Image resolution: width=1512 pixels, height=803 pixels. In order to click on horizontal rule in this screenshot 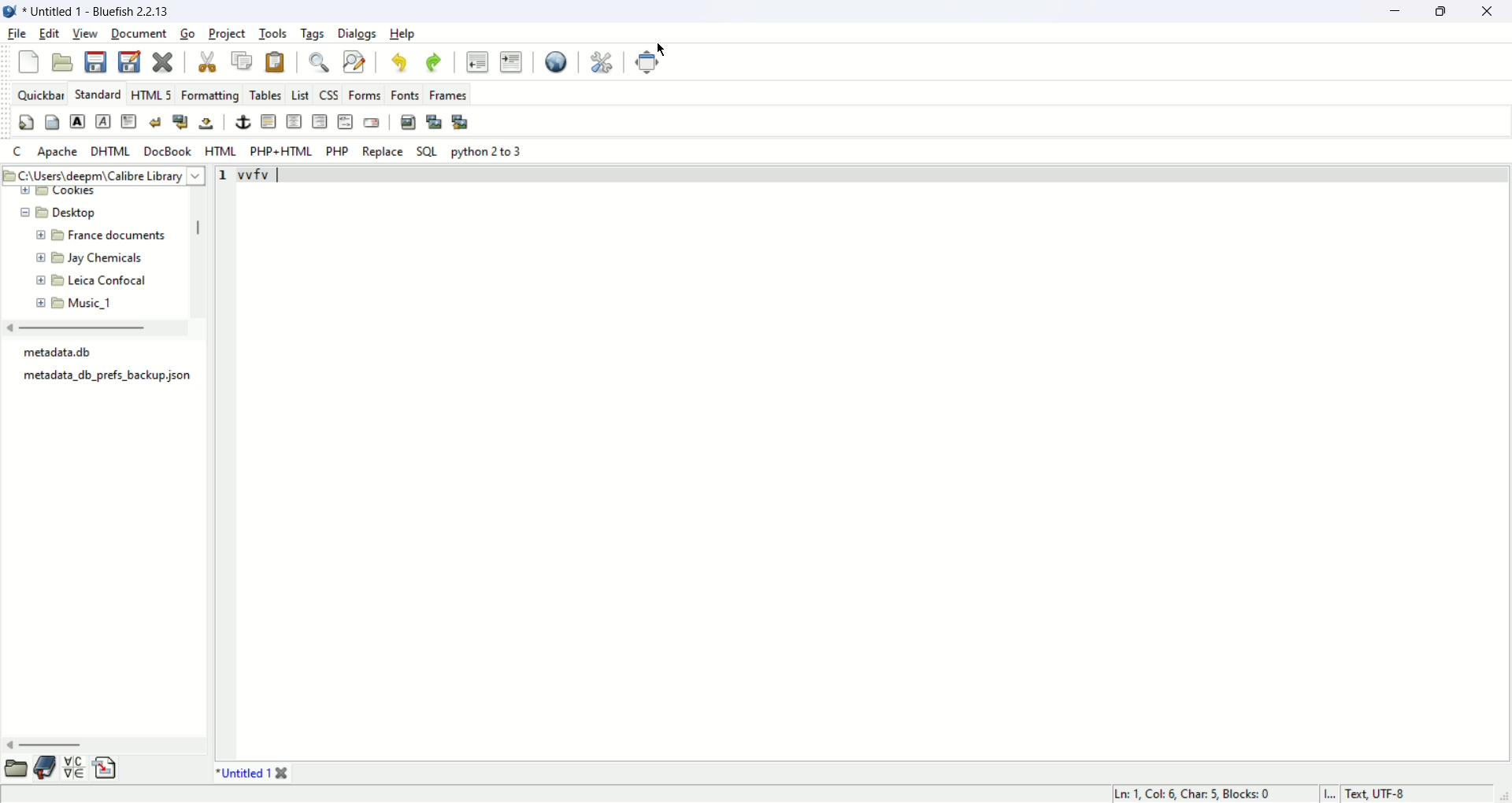, I will do `click(270, 122)`.